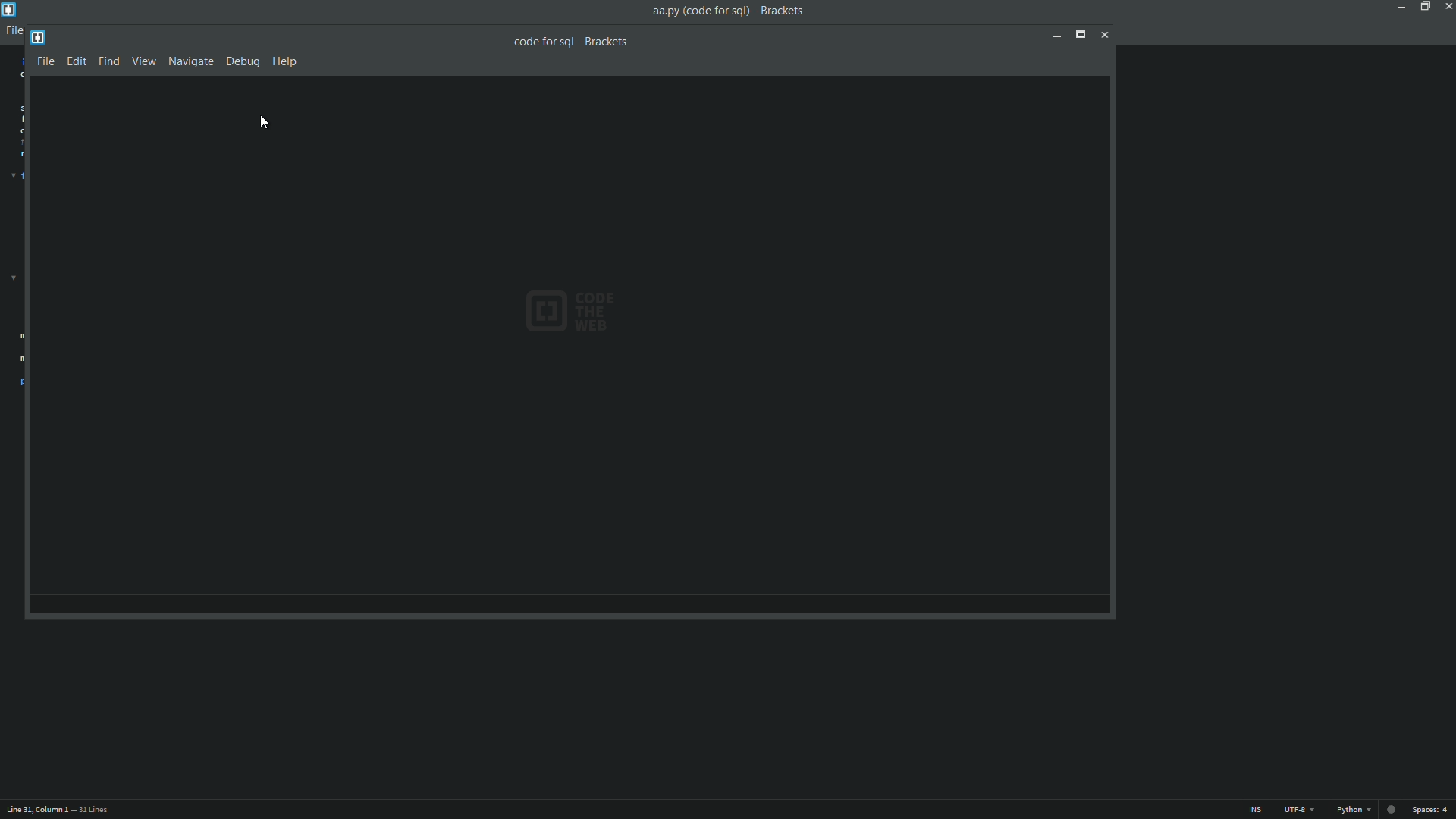 This screenshot has width=1456, height=819. What do you see at coordinates (610, 308) in the screenshot?
I see `The Code Web/logo` at bounding box center [610, 308].